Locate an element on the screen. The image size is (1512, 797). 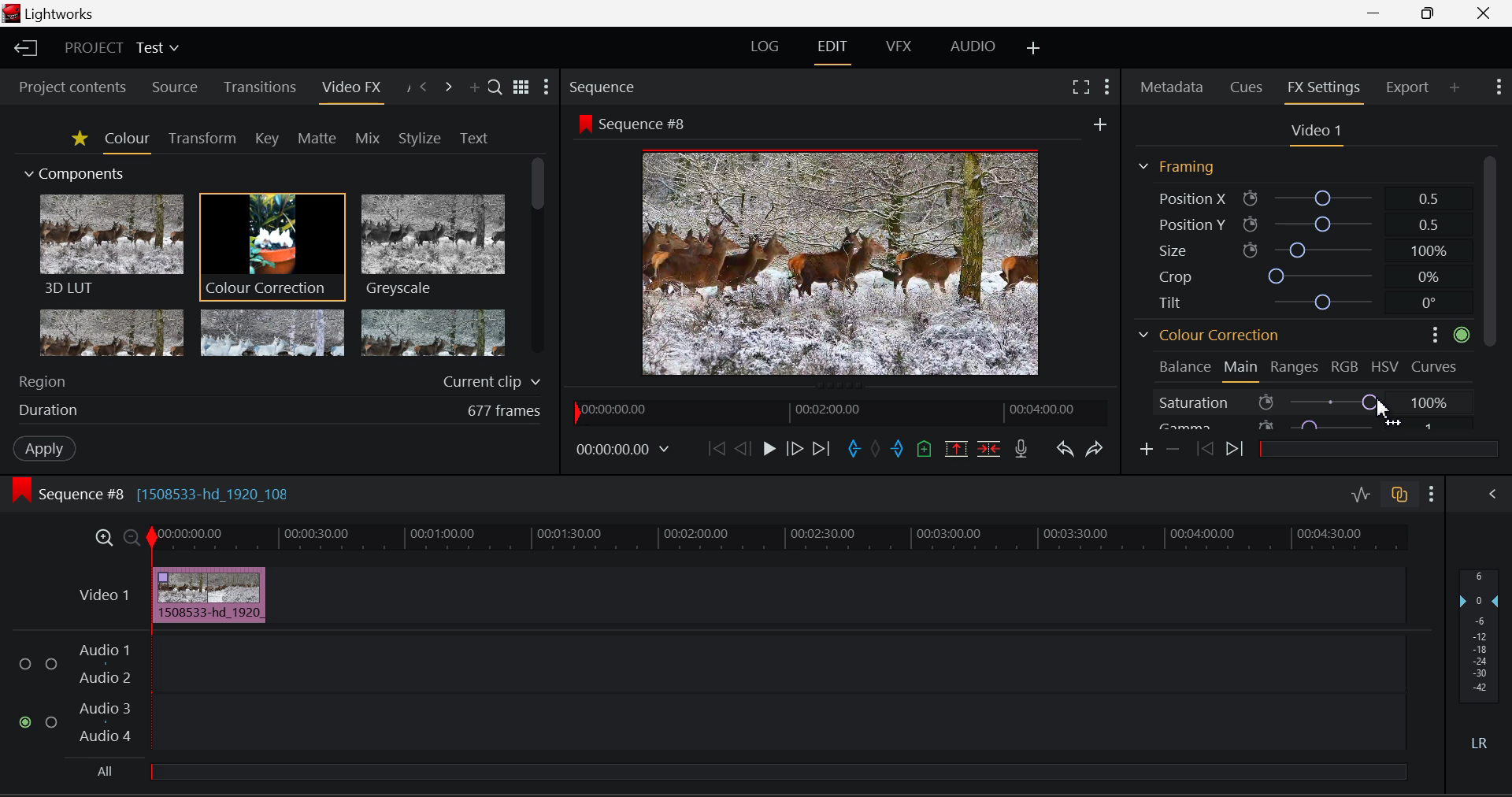
Crop is located at coordinates (1296, 275).